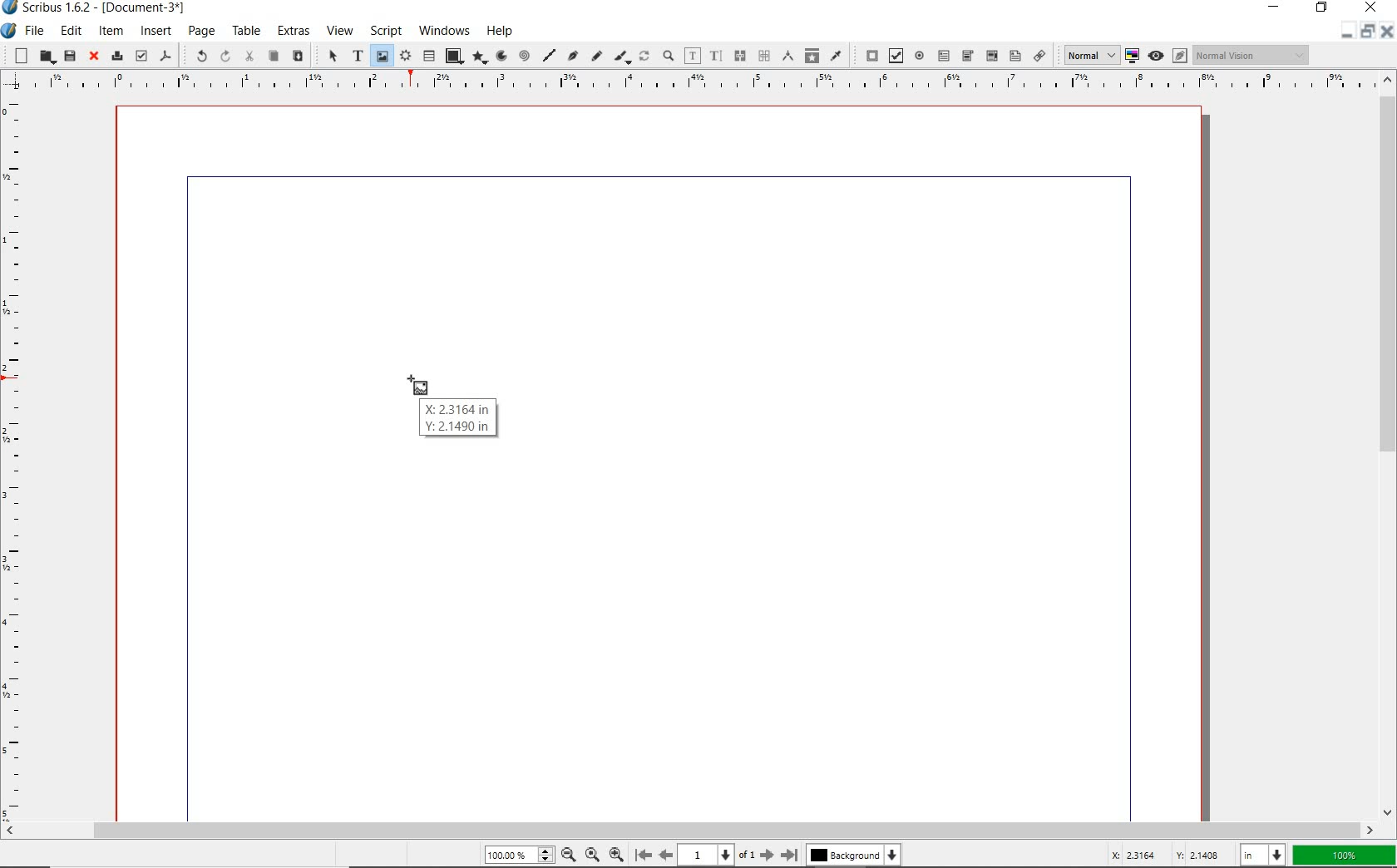 Image resolution: width=1397 pixels, height=868 pixels. Describe the element at coordinates (427, 56) in the screenshot. I see `table` at that location.